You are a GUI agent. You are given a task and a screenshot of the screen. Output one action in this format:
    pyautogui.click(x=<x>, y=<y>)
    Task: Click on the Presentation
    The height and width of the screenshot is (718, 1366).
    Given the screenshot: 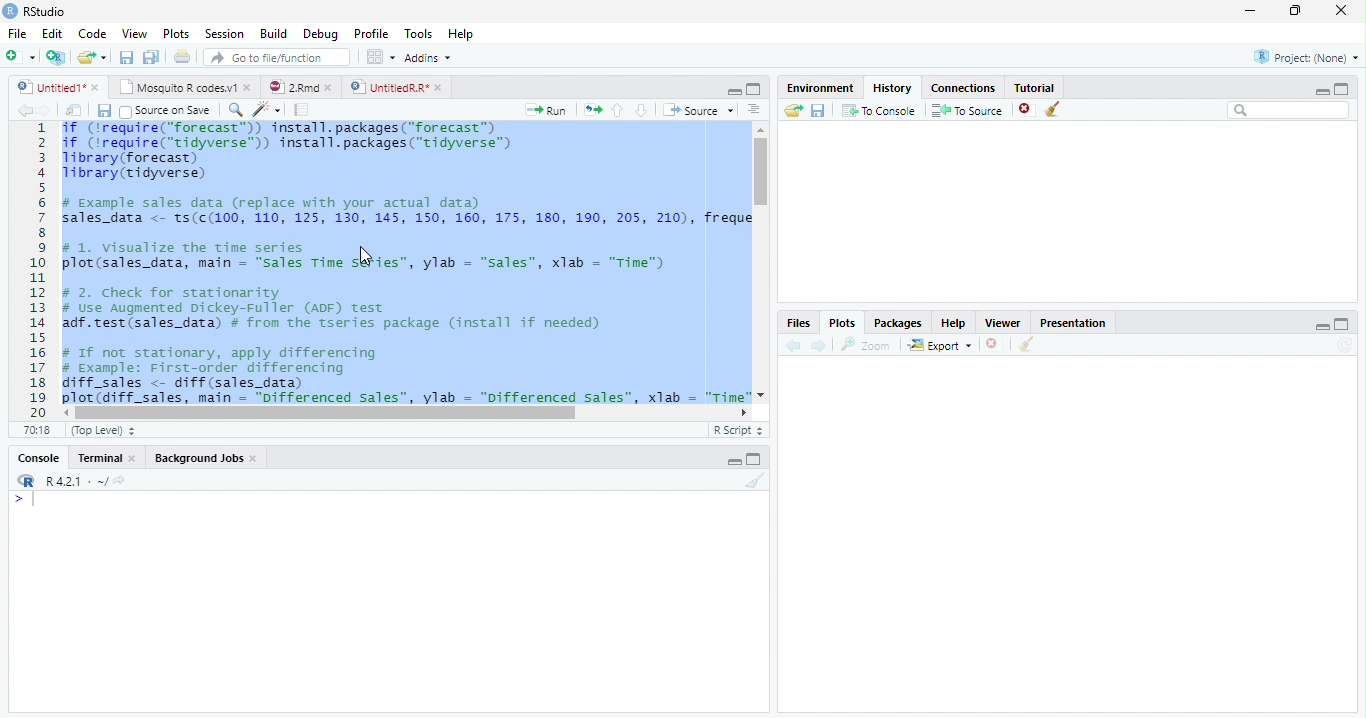 What is the action you would take?
    pyautogui.click(x=1073, y=323)
    